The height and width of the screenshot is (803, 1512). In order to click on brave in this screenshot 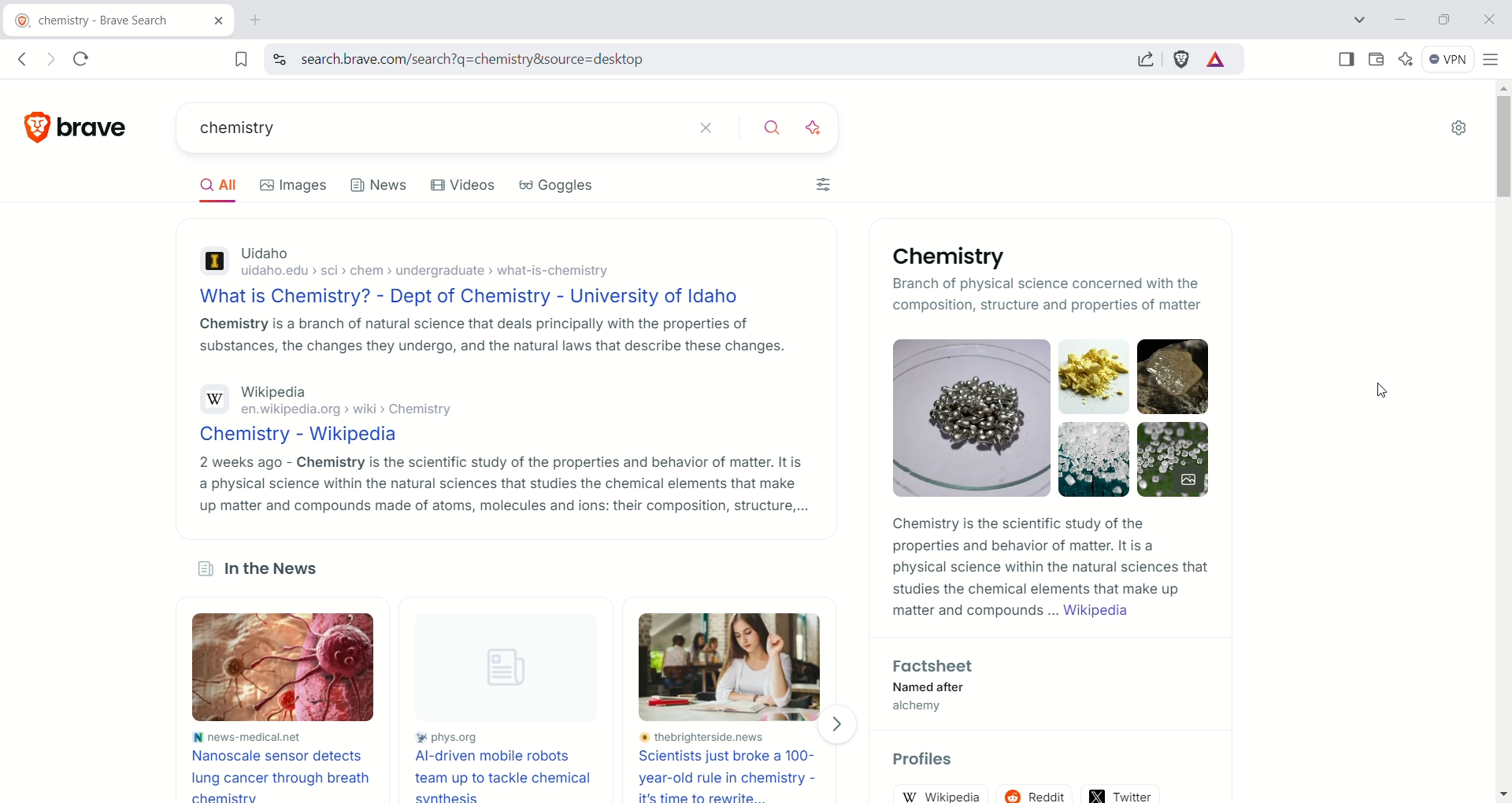, I will do `click(98, 122)`.